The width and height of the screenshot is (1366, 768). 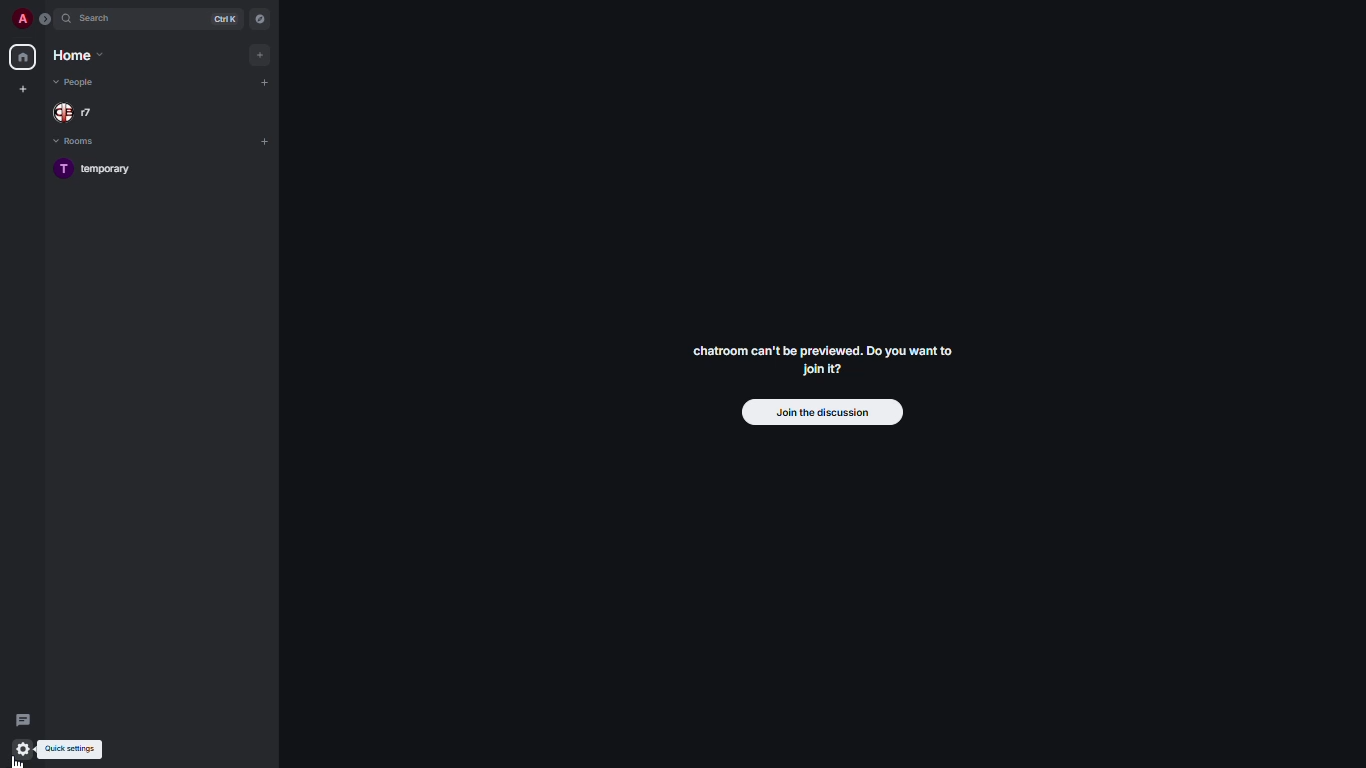 I want to click on home, so click(x=77, y=54).